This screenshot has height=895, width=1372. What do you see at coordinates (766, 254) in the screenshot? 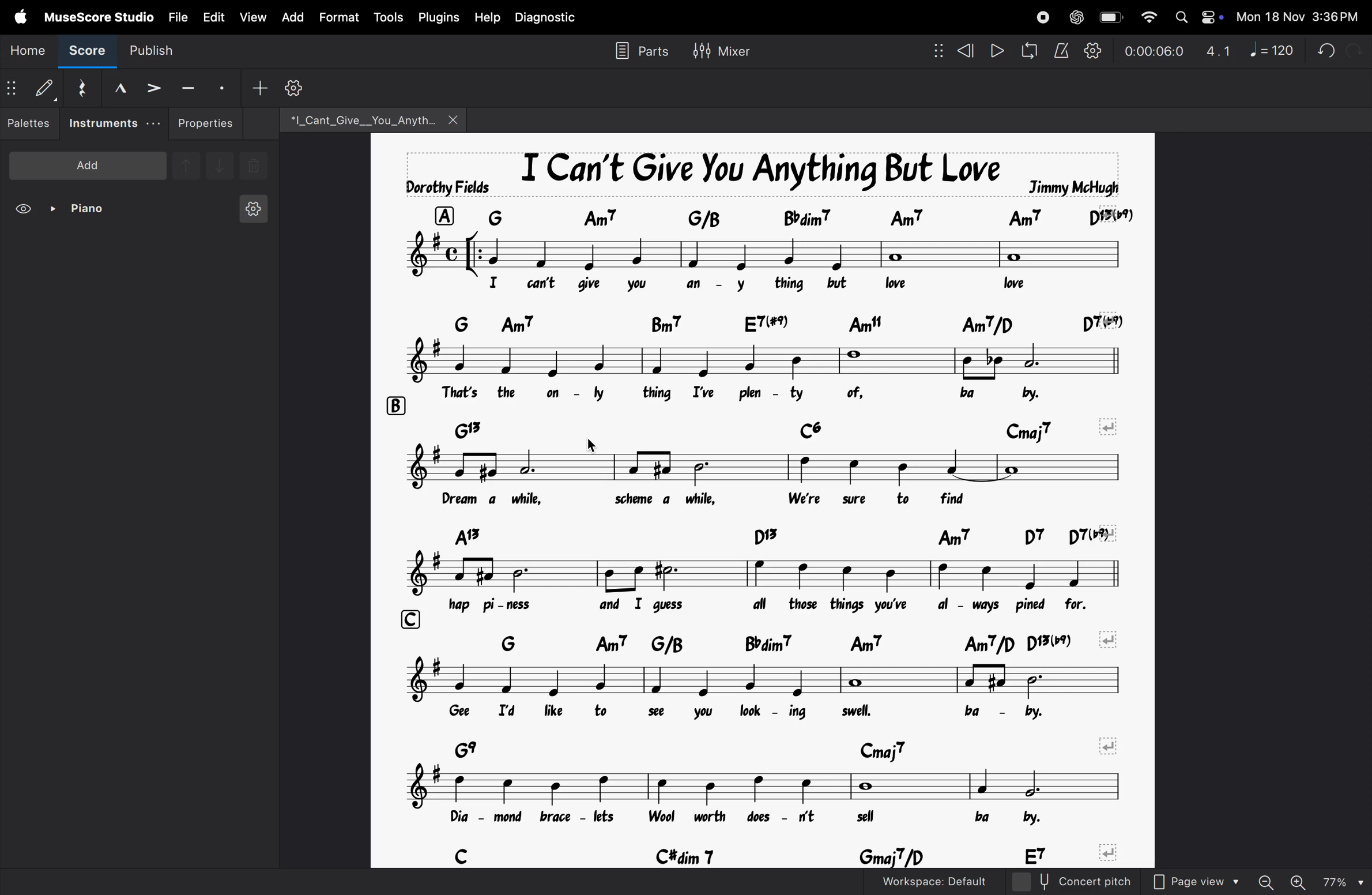
I see `notes` at bounding box center [766, 254].